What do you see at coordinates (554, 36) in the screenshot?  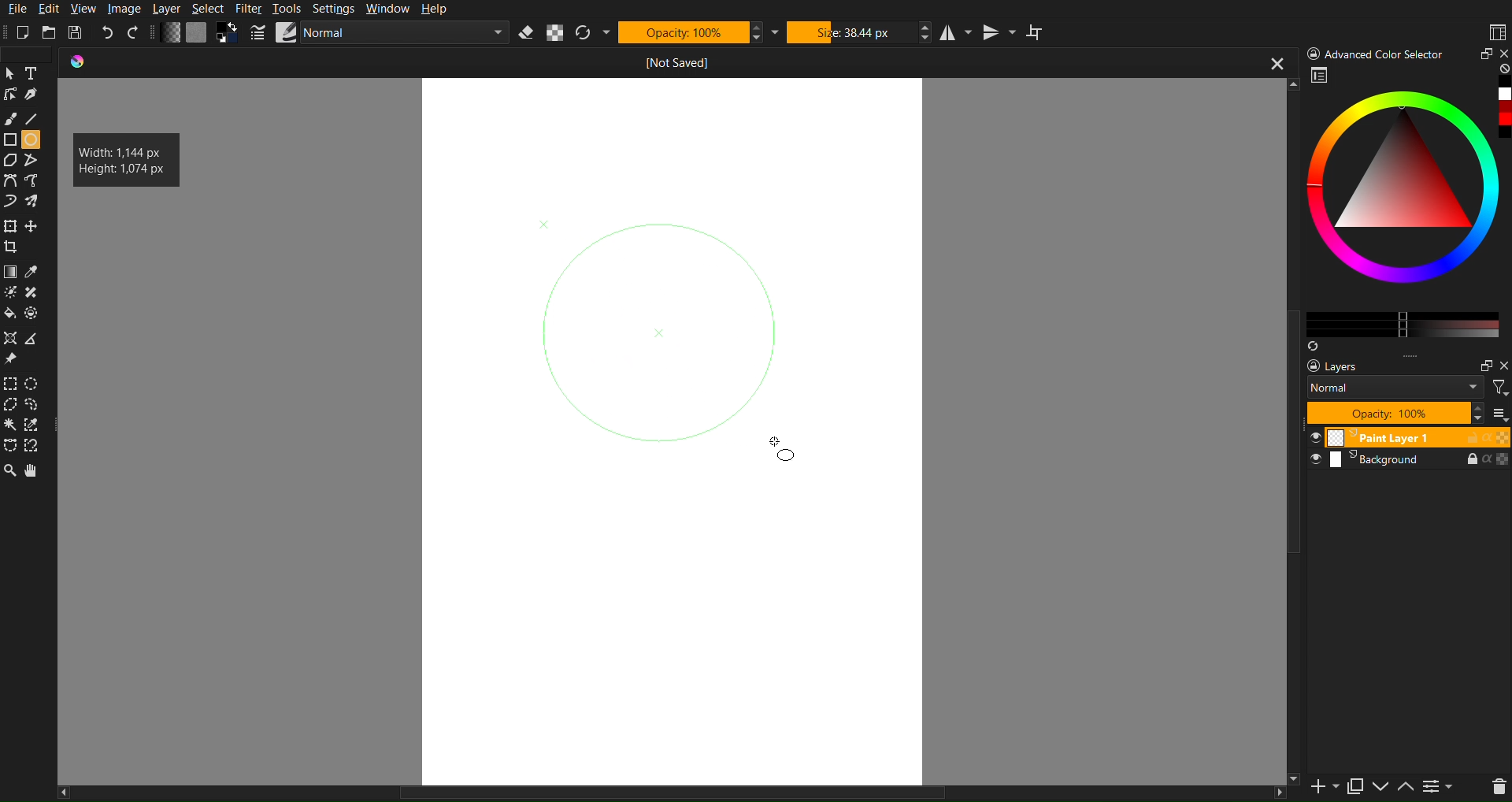 I see `Alpha` at bounding box center [554, 36].